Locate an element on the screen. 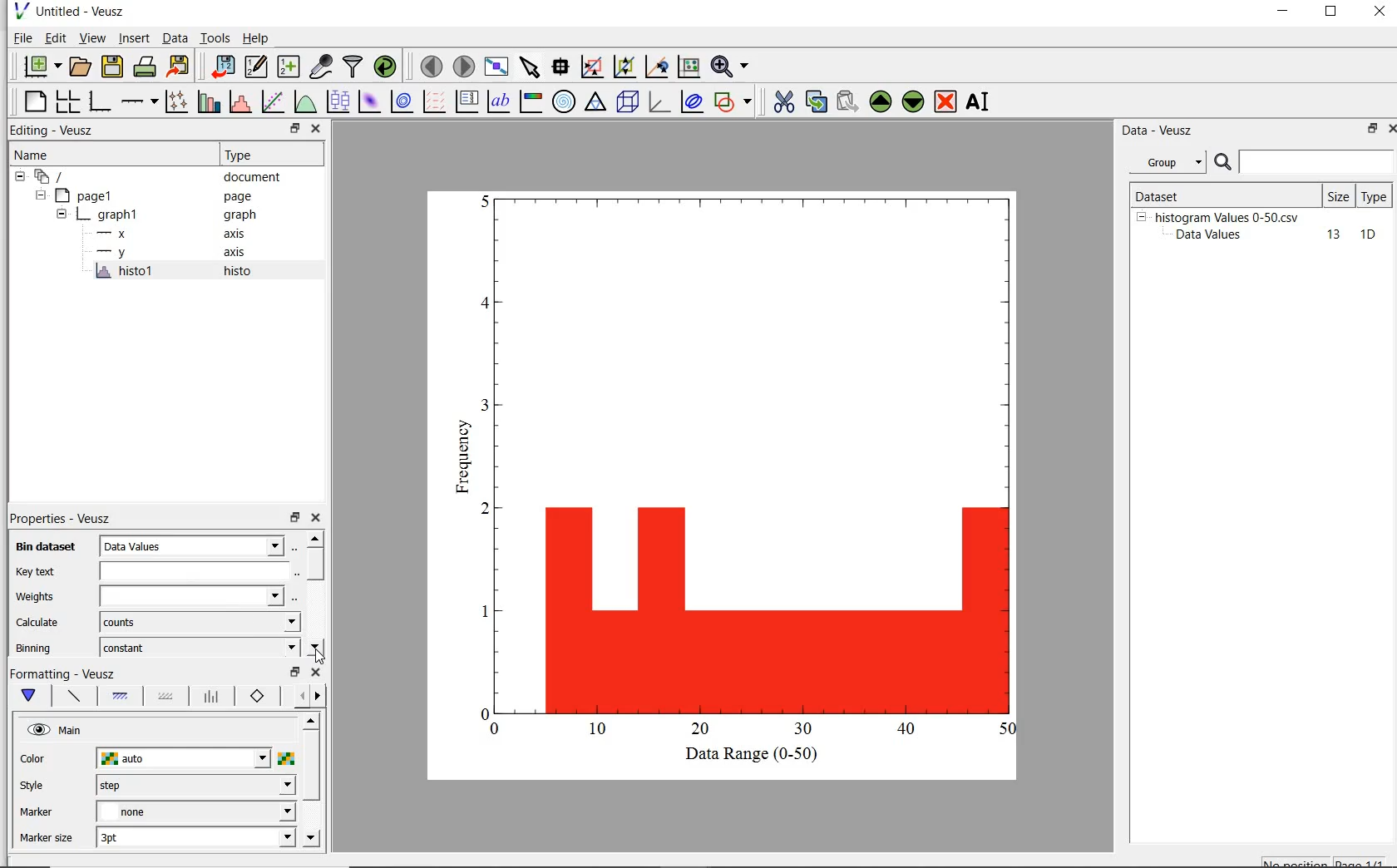 The width and height of the screenshot is (1397, 868). click or draw a rectangle to zoom on graph axes is located at coordinates (624, 67).